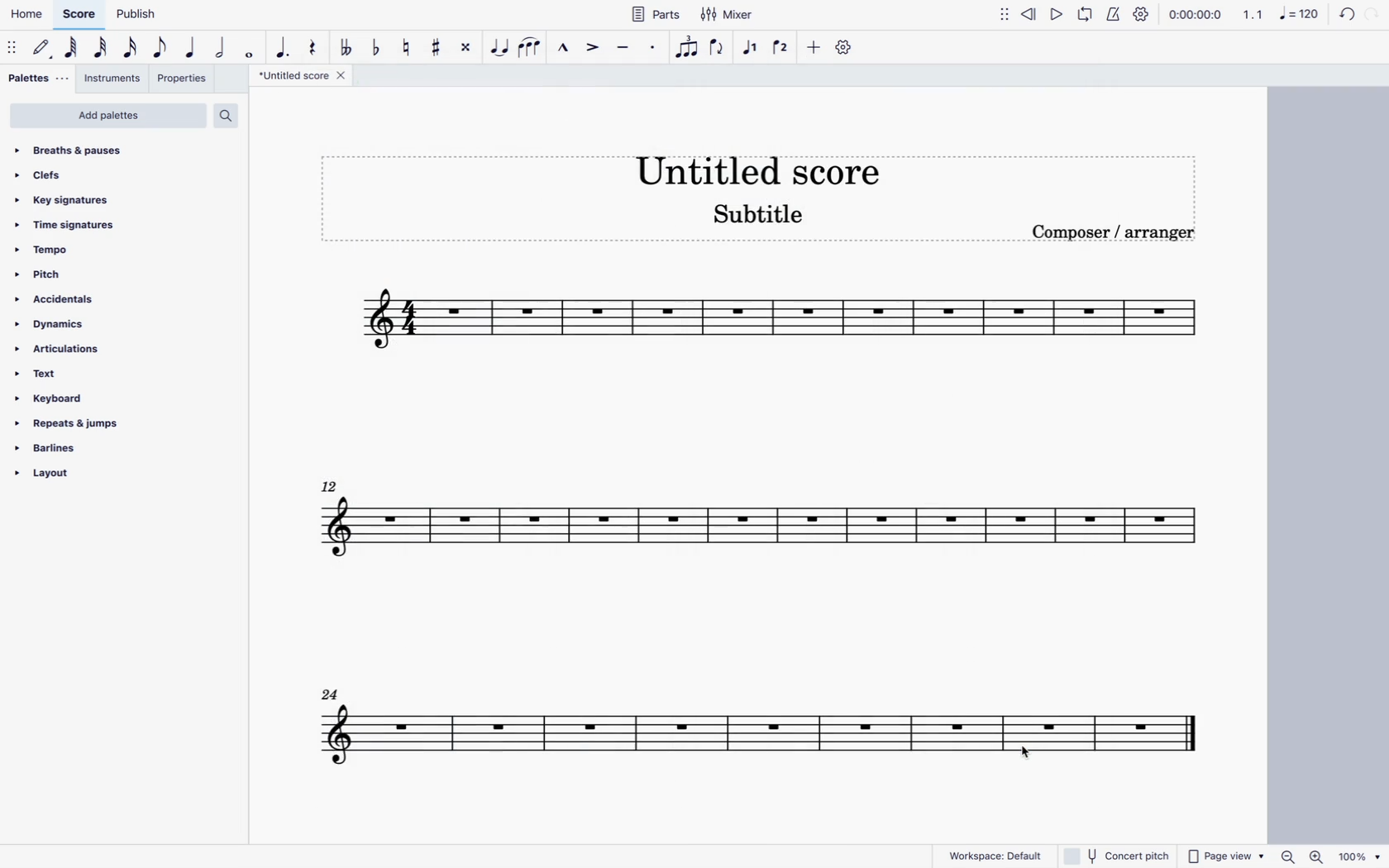 The width and height of the screenshot is (1389, 868). Describe the element at coordinates (31, 11) in the screenshot. I see `Home` at that location.